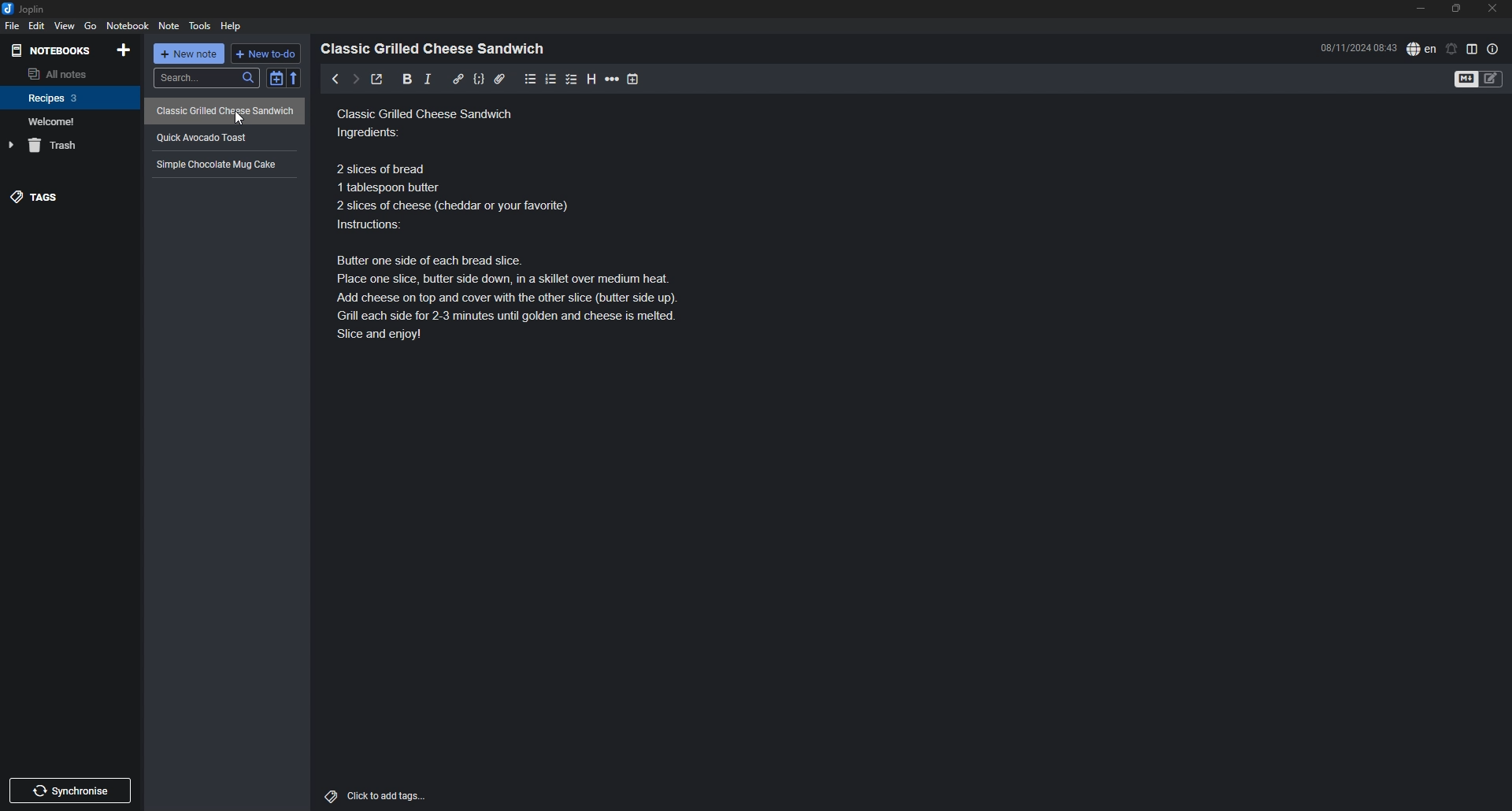 This screenshot has height=811, width=1512. I want to click on new note, so click(190, 54).